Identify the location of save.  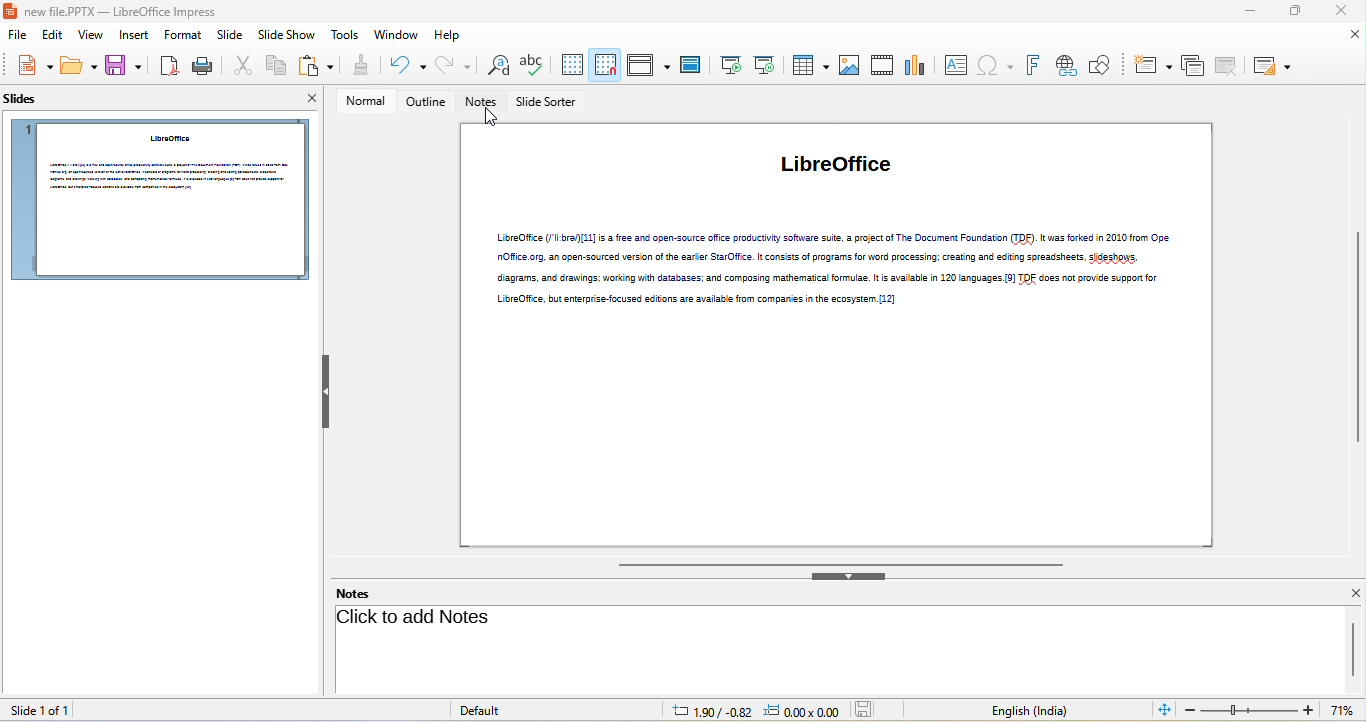
(124, 67).